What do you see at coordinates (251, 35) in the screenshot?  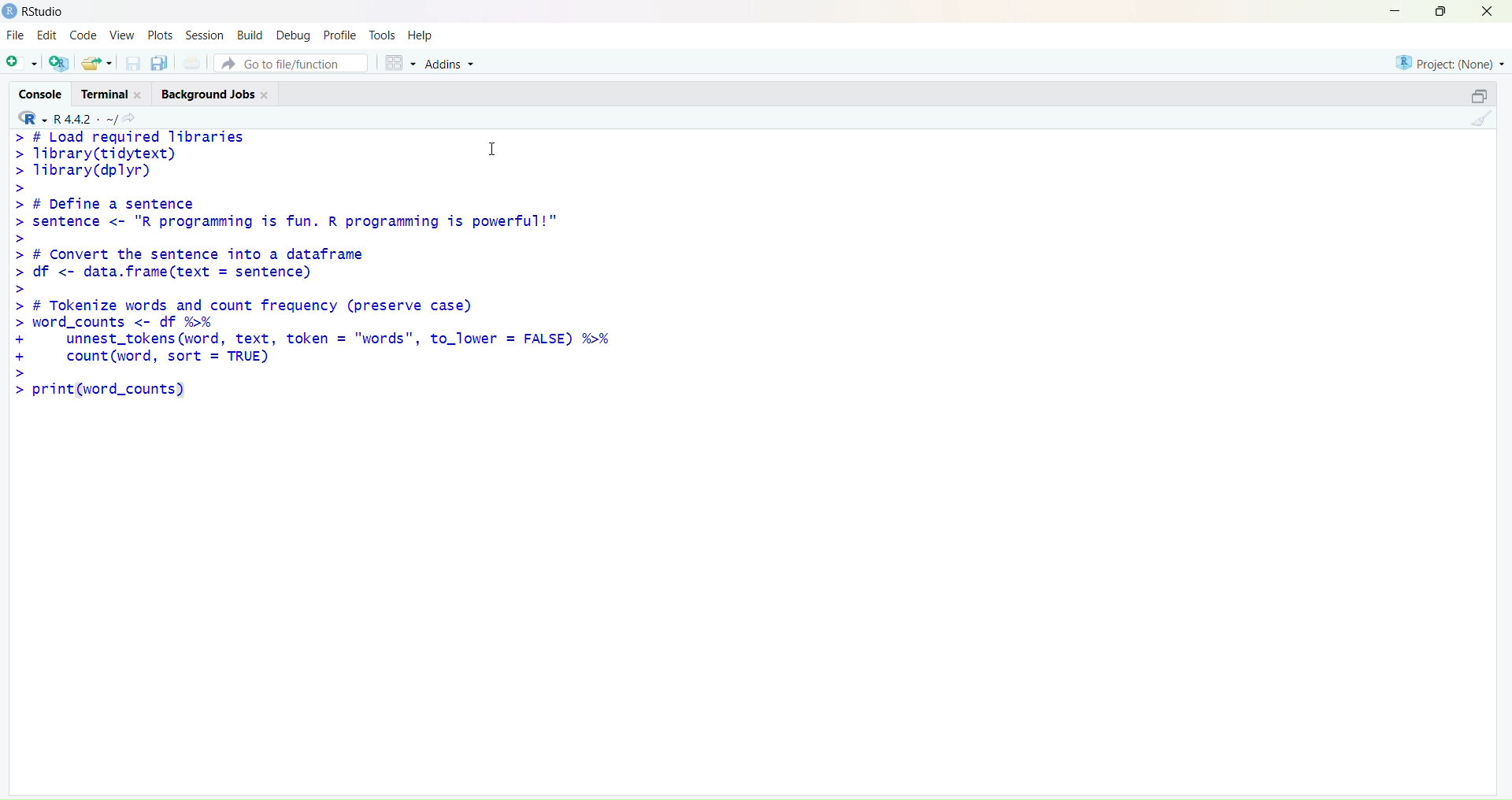 I see `build` at bounding box center [251, 35].